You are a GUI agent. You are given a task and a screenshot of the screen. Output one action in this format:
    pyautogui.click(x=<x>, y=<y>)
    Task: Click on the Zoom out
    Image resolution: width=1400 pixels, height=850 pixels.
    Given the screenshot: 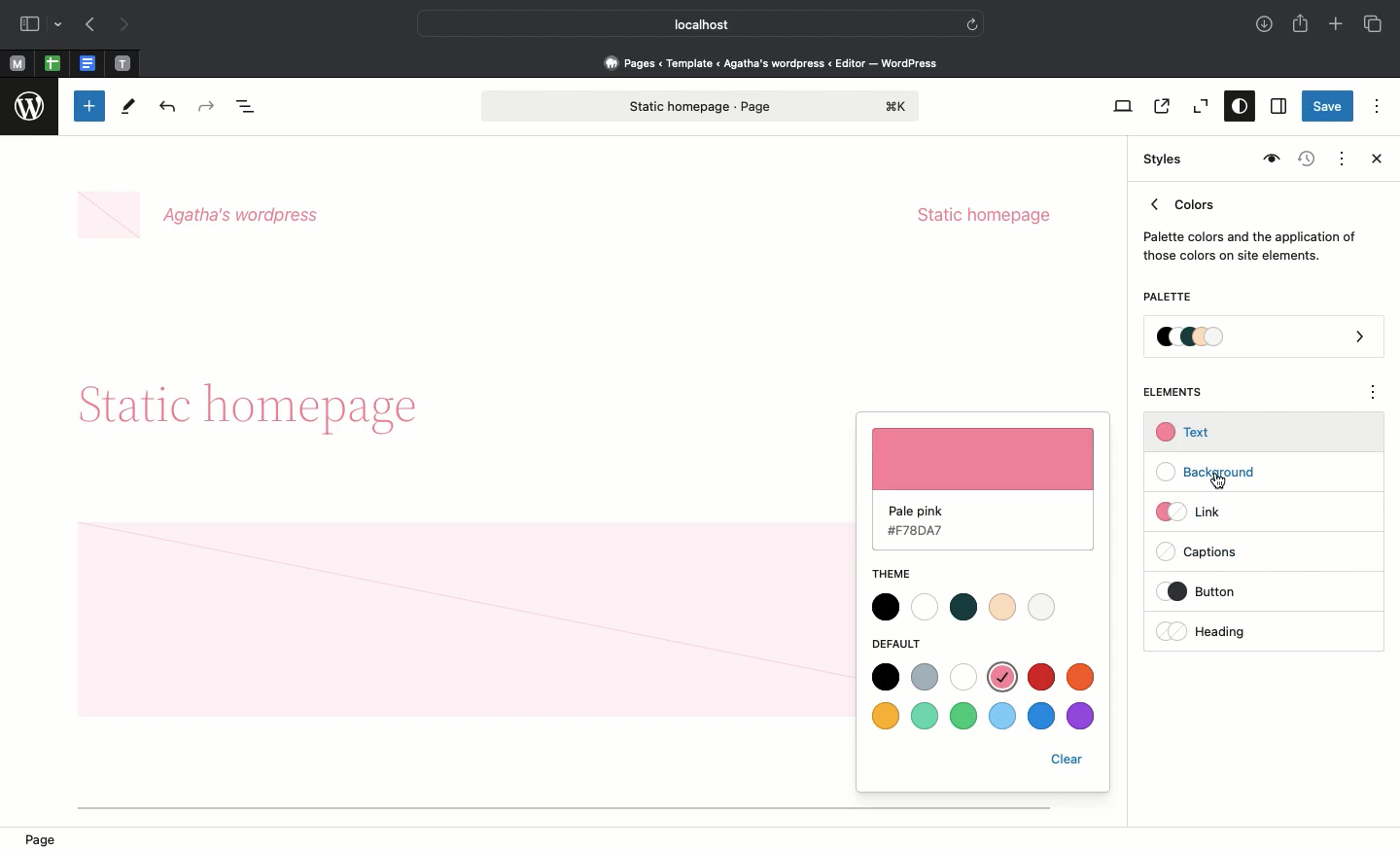 What is the action you would take?
    pyautogui.click(x=1198, y=107)
    